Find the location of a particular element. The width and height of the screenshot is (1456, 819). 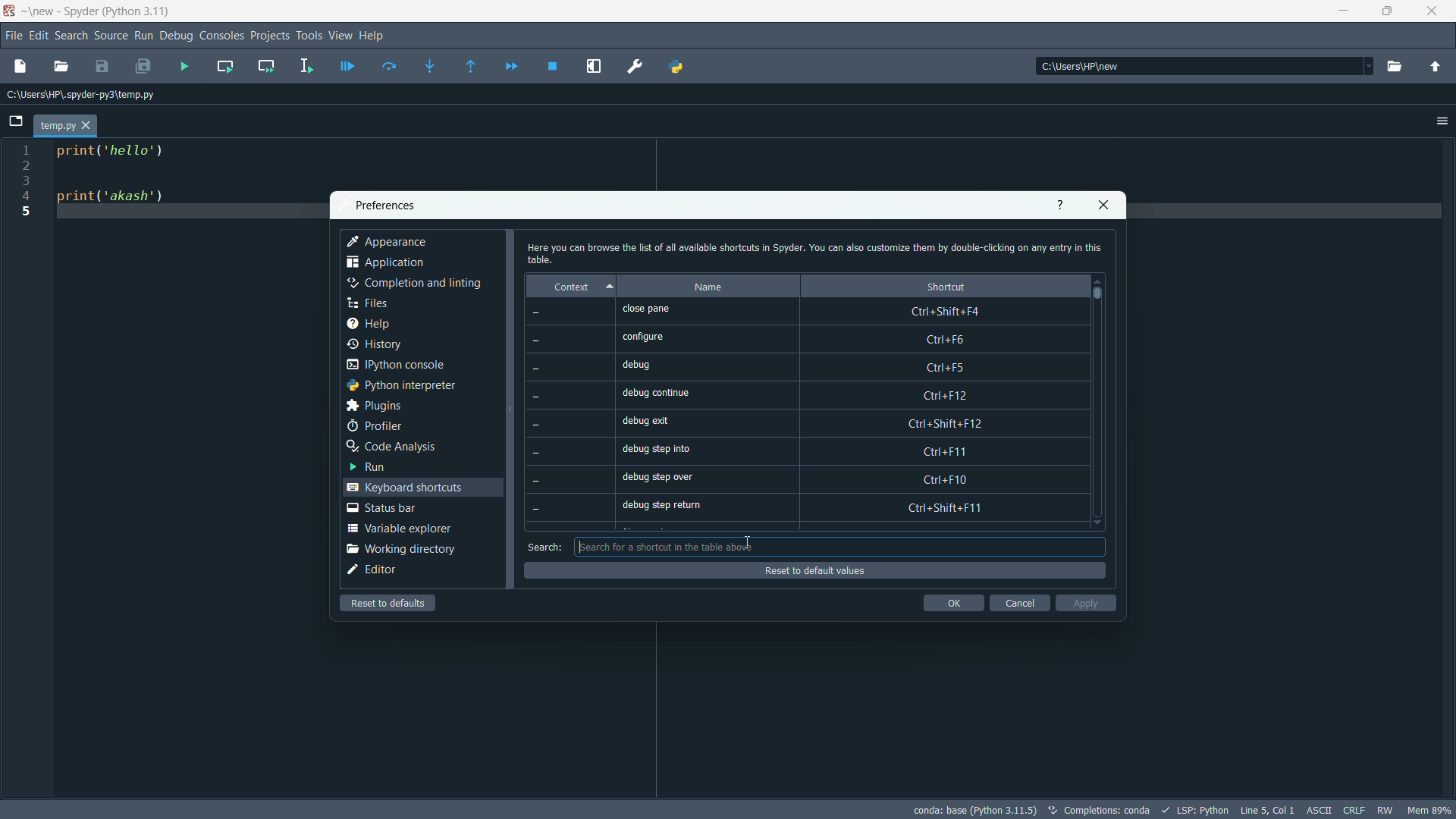

run menu is located at coordinates (143, 36).